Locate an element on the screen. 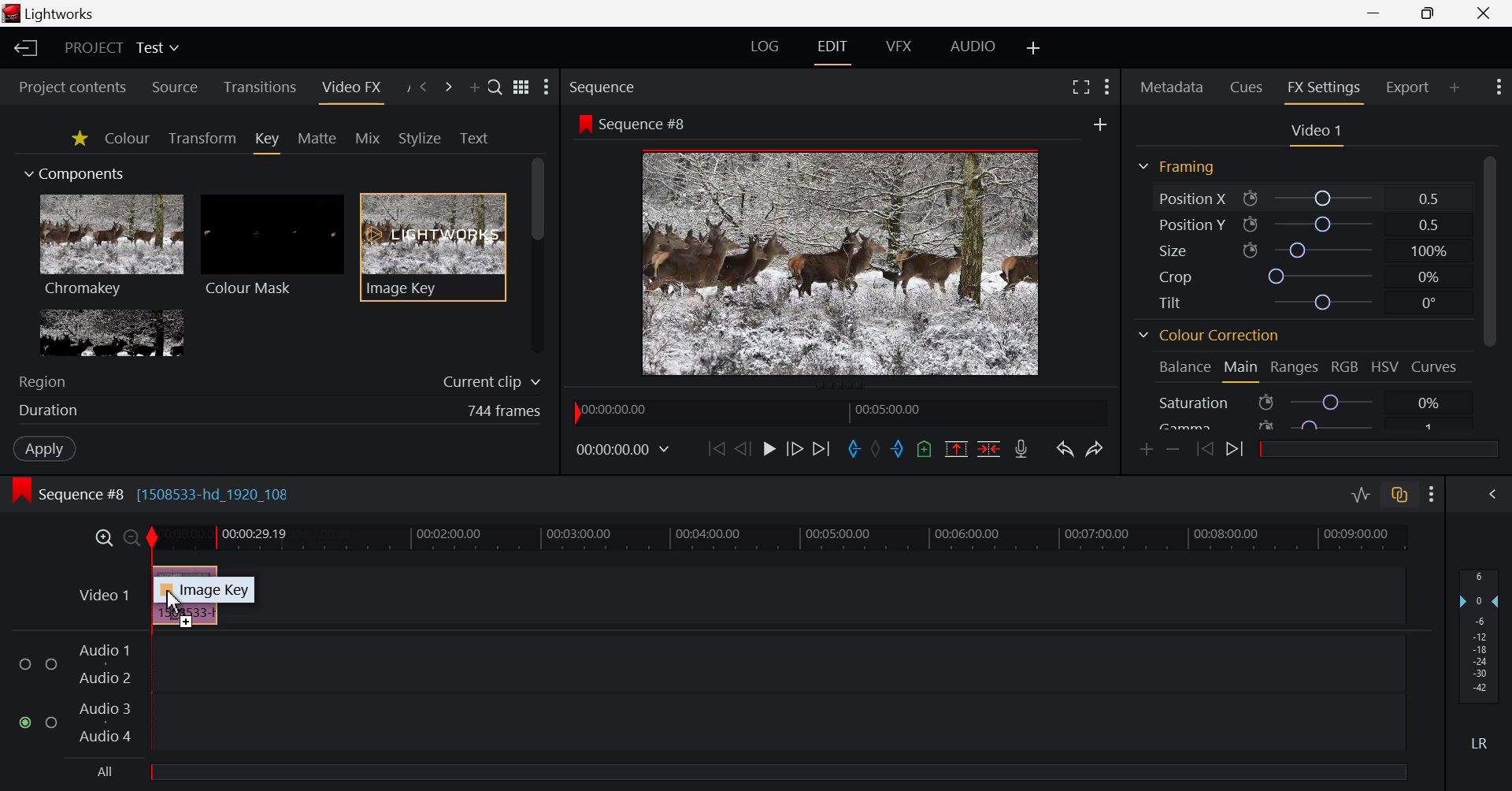  FX Settings is located at coordinates (1326, 89).